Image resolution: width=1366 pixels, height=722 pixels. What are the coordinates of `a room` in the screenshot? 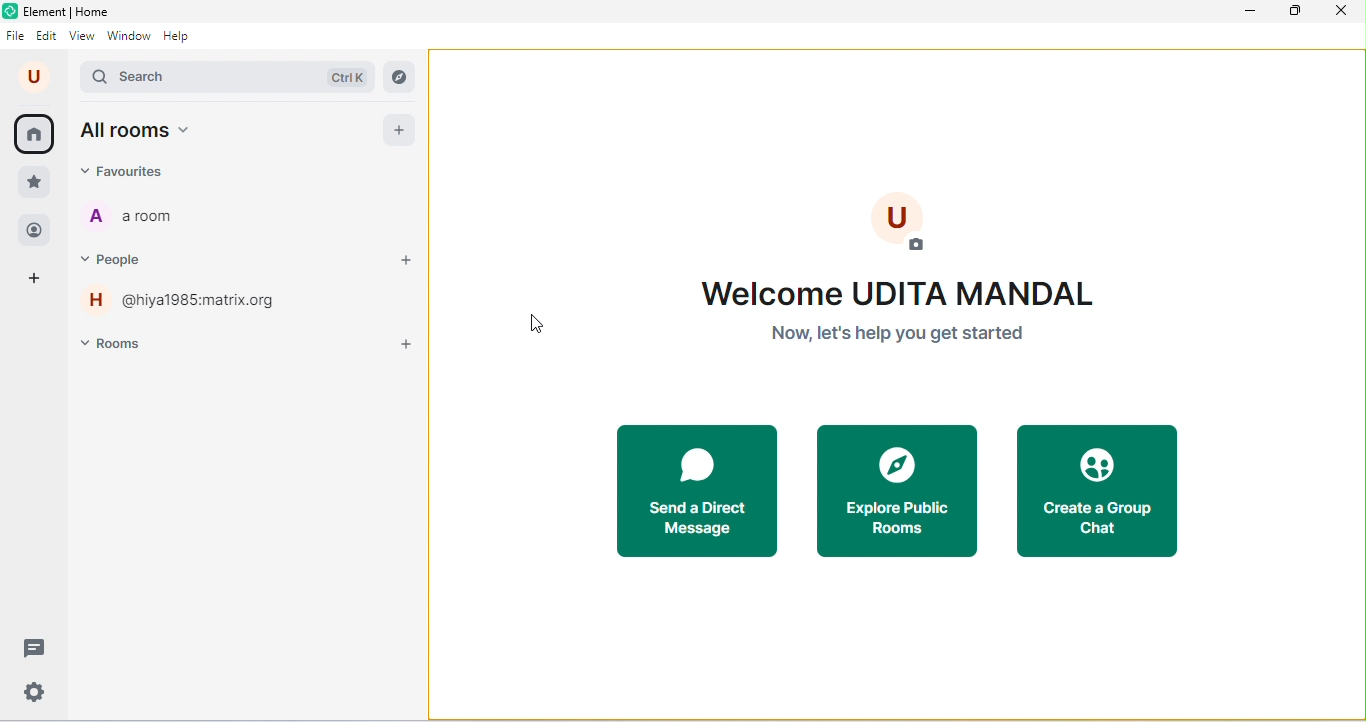 It's located at (132, 217).